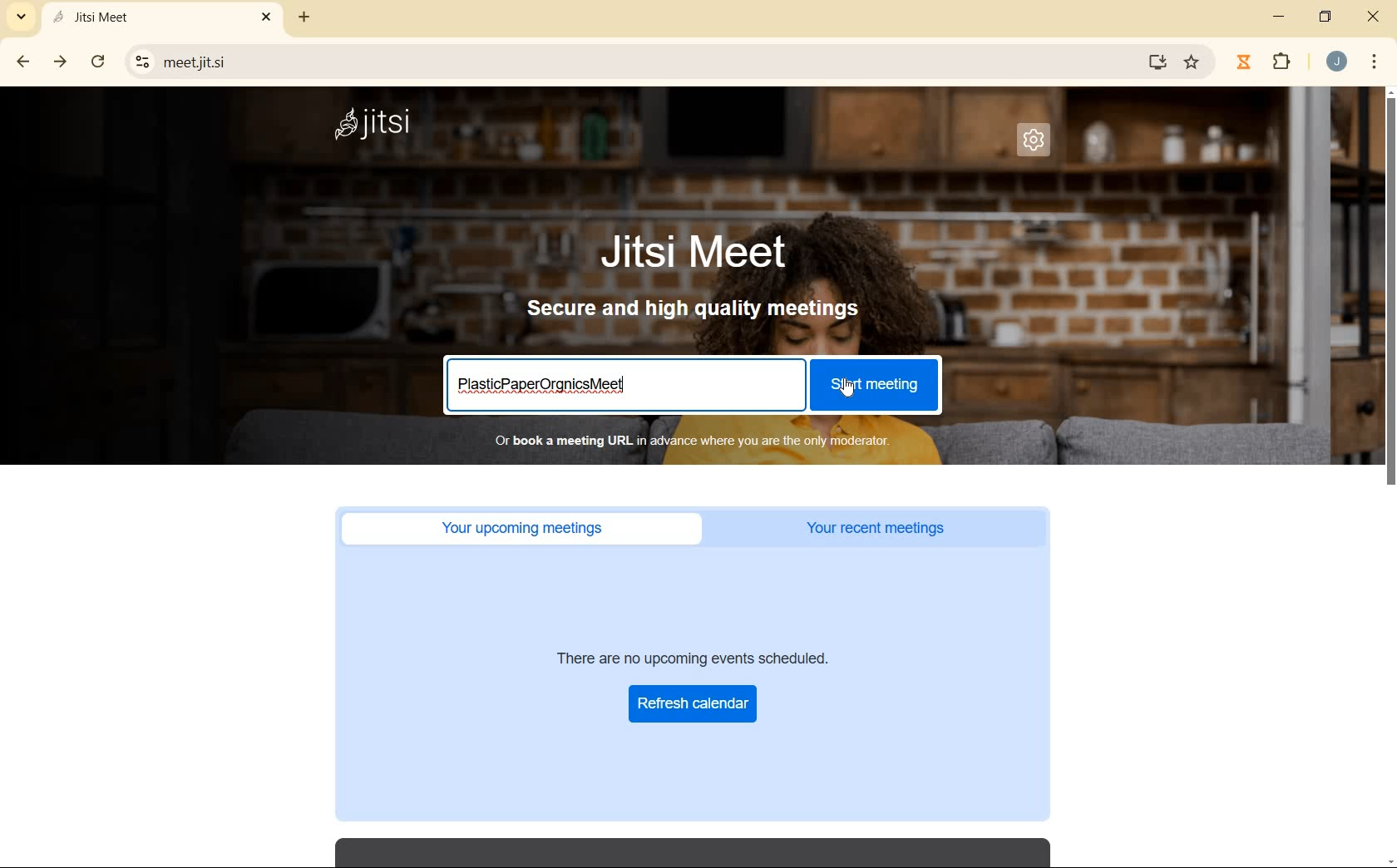  I want to click on Refresh Calendar, so click(694, 703).